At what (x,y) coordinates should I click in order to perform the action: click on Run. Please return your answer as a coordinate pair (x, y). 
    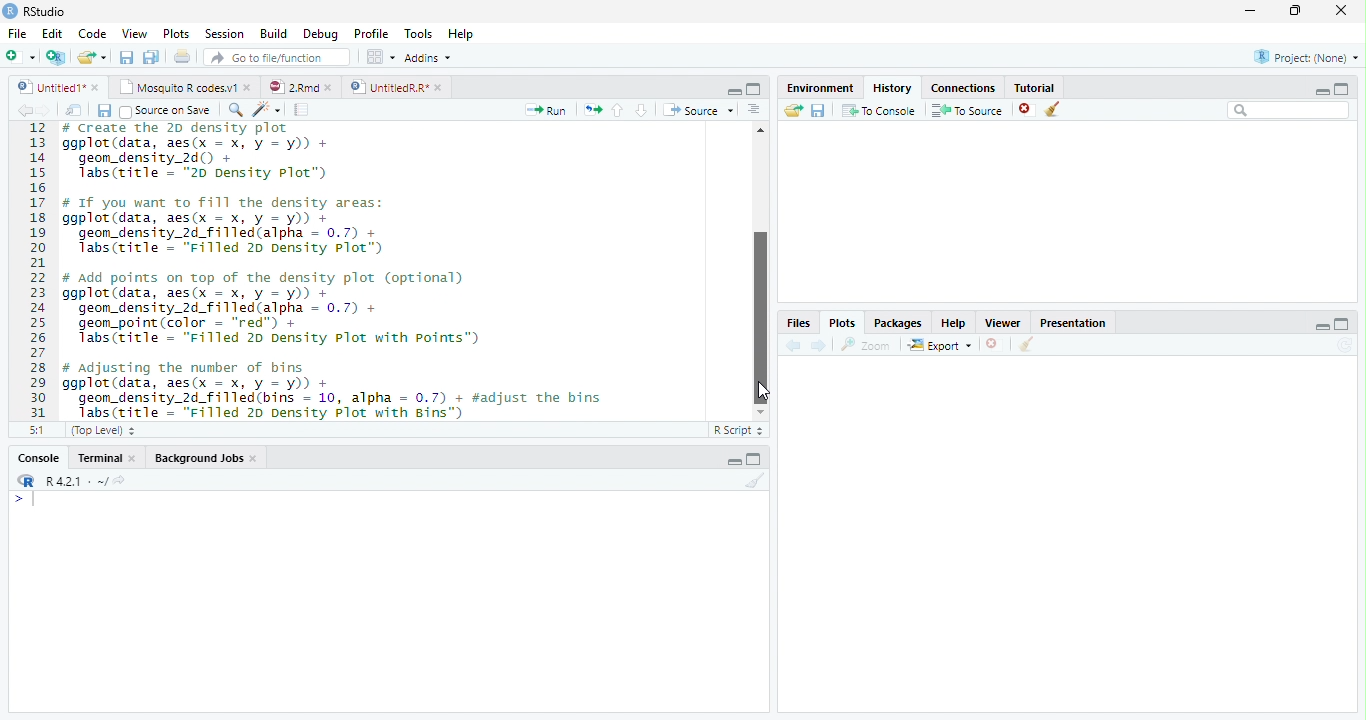
    Looking at the image, I should click on (543, 111).